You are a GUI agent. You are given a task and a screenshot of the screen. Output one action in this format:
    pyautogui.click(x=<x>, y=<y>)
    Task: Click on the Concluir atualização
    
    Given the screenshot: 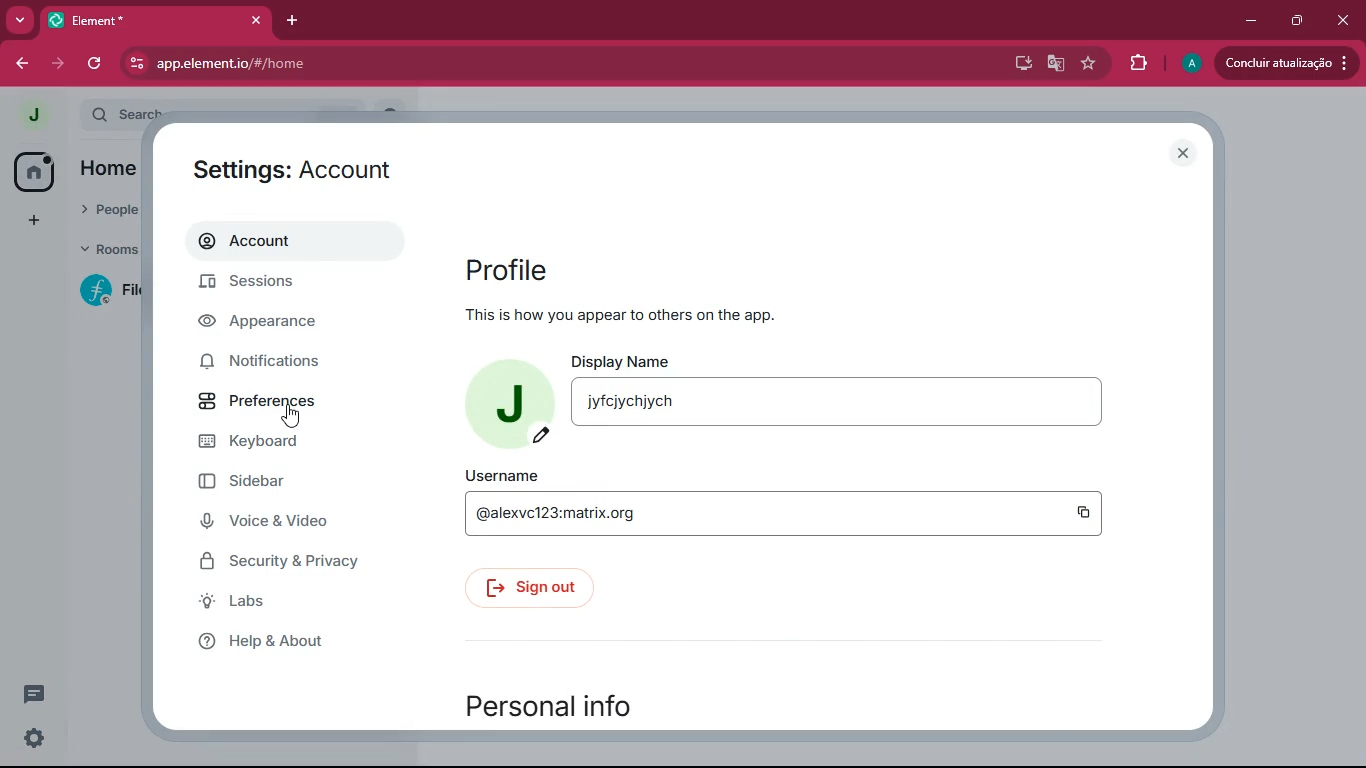 What is the action you would take?
    pyautogui.click(x=1290, y=63)
    